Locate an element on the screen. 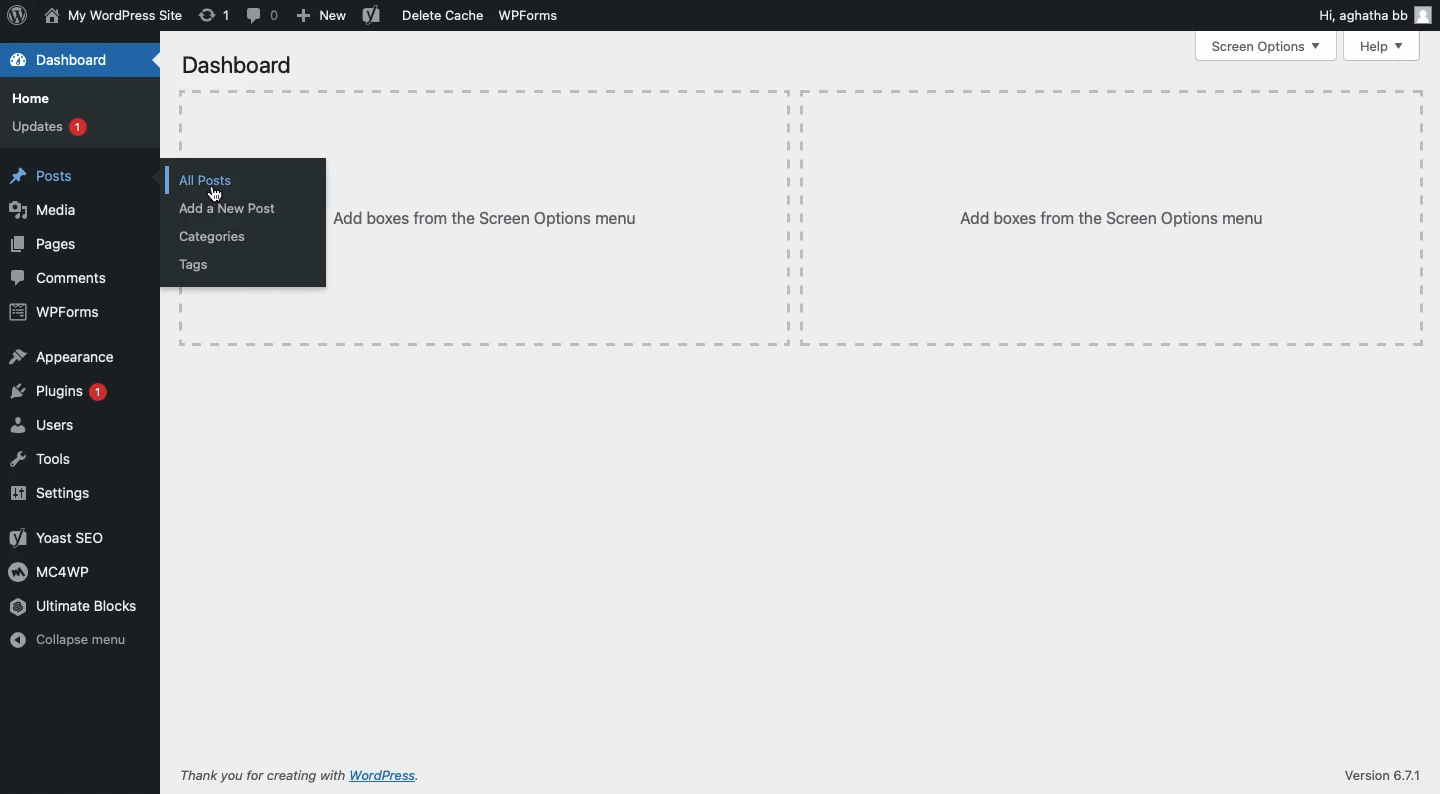 The image size is (1440, 794). WPForms is located at coordinates (56, 314).